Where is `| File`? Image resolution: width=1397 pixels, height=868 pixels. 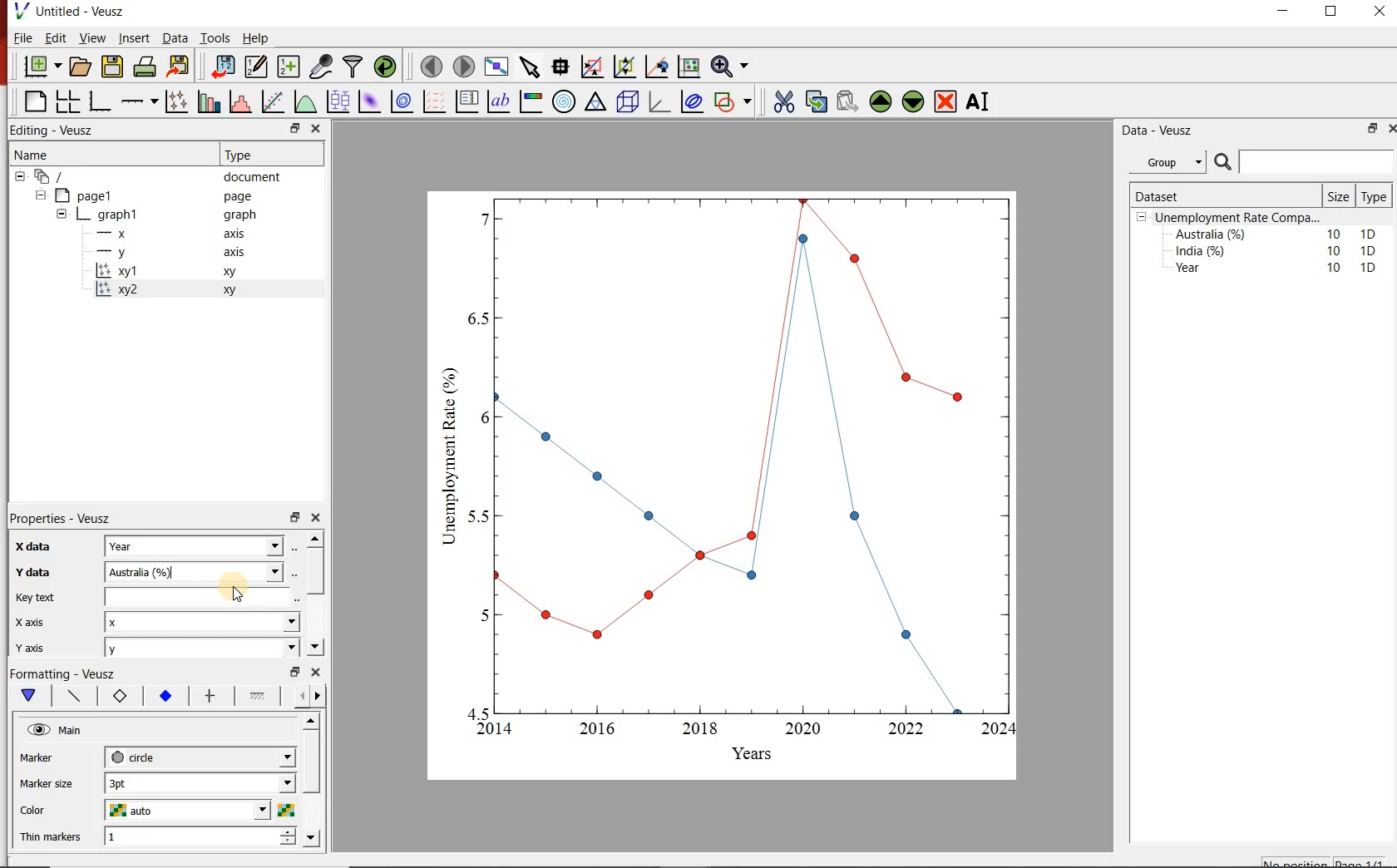
| File is located at coordinates (19, 37).